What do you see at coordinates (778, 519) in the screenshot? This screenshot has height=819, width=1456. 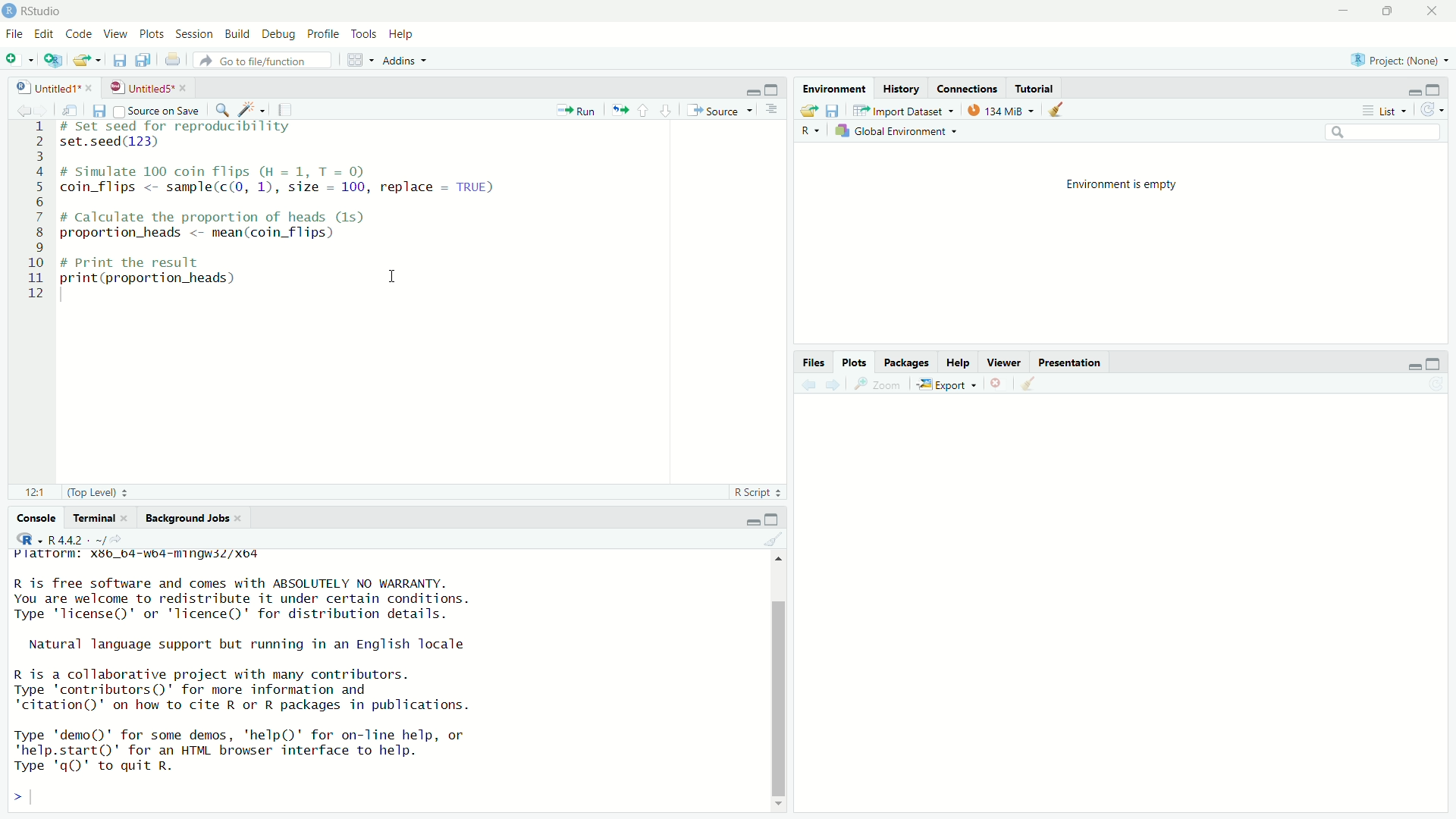 I see `maximize` at bounding box center [778, 519].